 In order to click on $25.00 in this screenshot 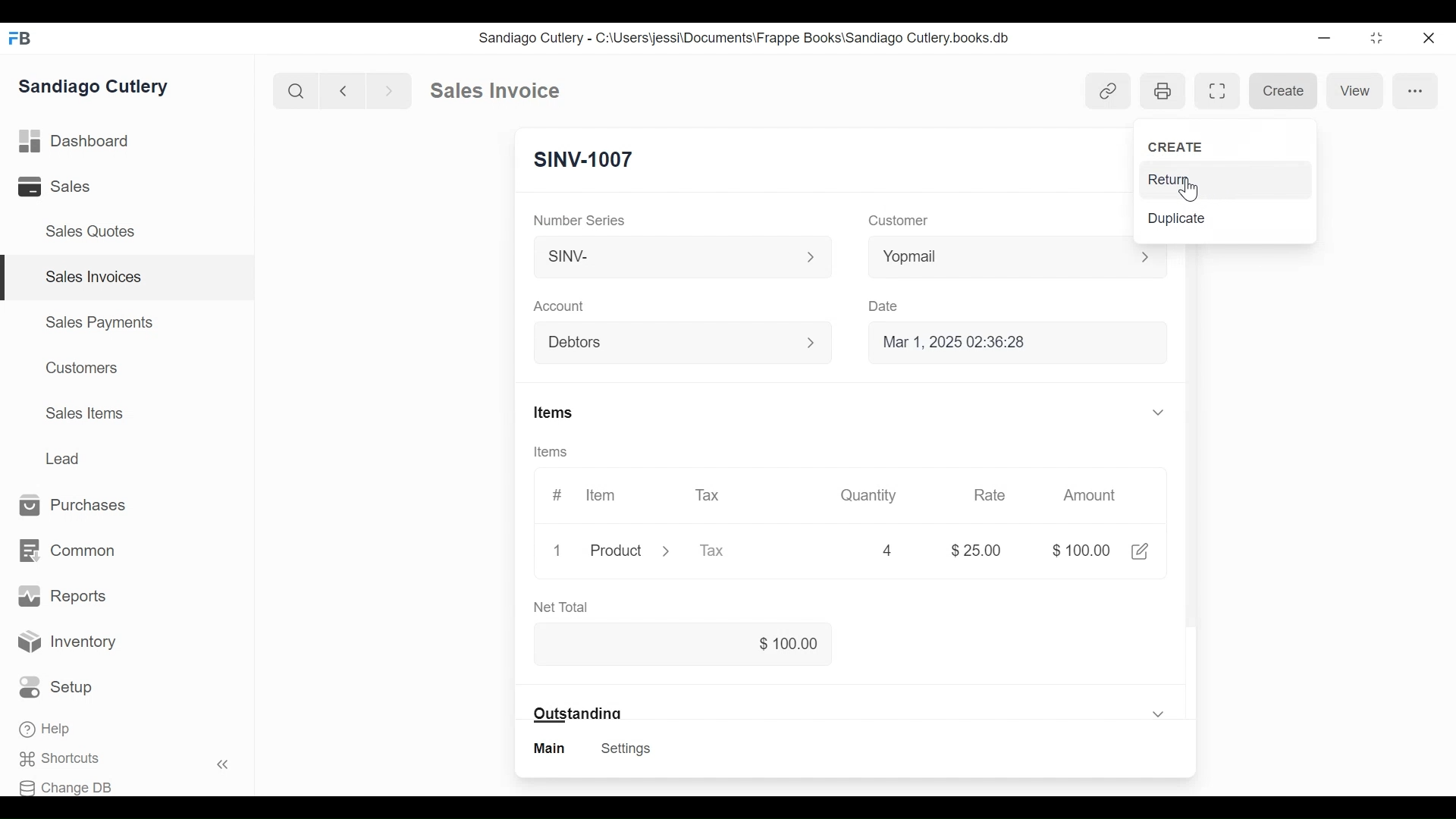, I will do `click(977, 550)`.